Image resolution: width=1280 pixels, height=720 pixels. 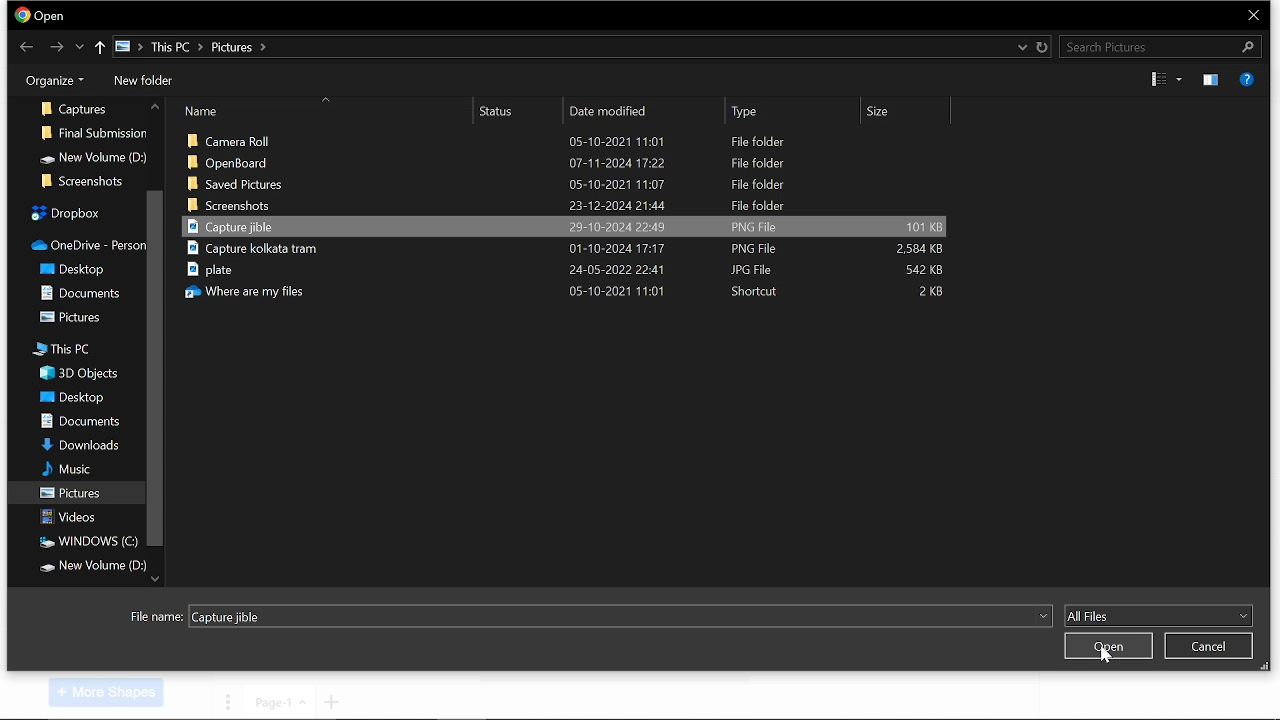 What do you see at coordinates (97, 128) in the screenshot?
I see `folders` at bounding box center [97, 128].